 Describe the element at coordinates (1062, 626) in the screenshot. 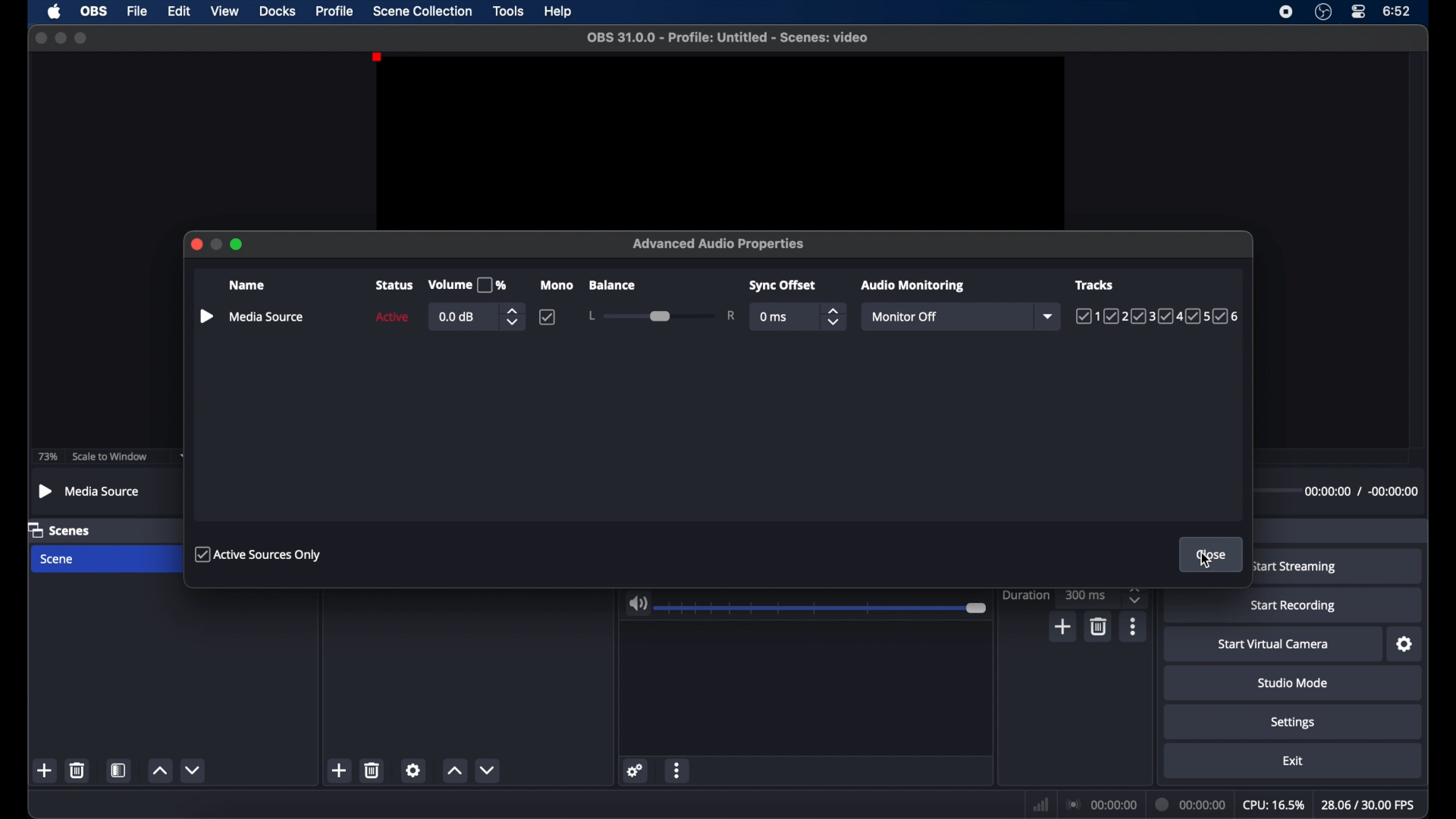

I see `add` at that location.